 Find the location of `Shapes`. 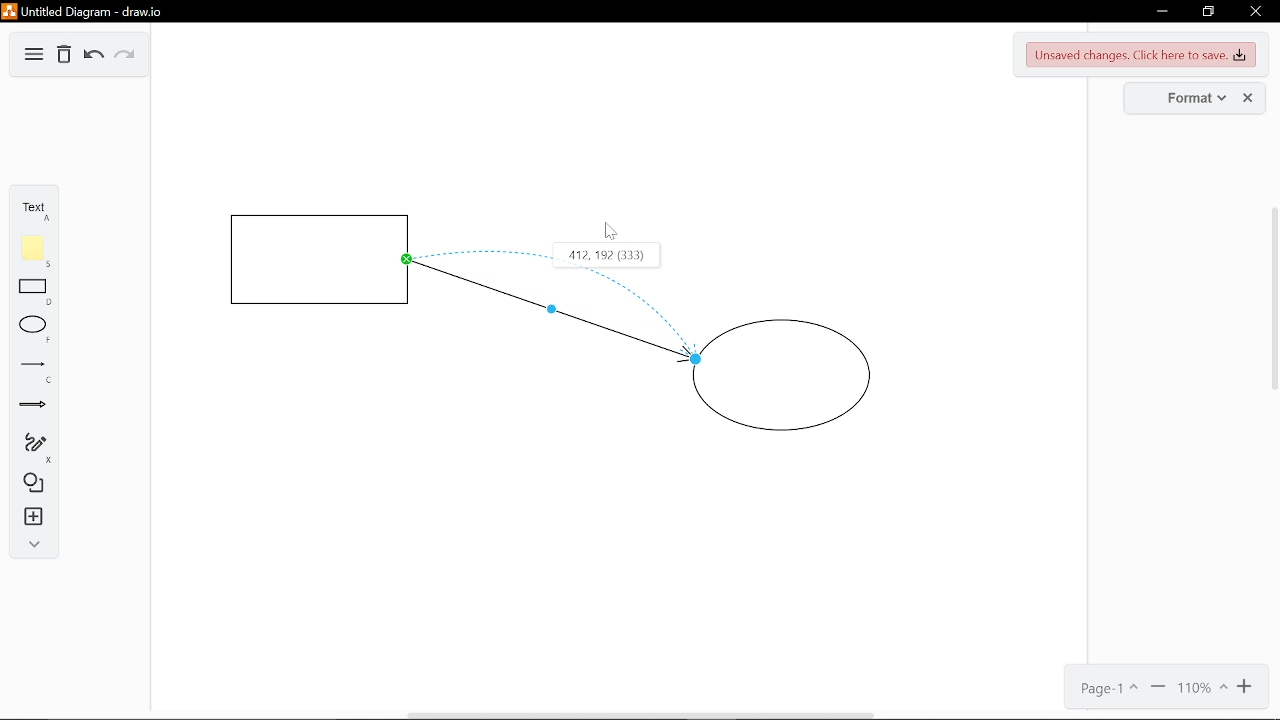

Shapes is located at coordinates (33, 486).